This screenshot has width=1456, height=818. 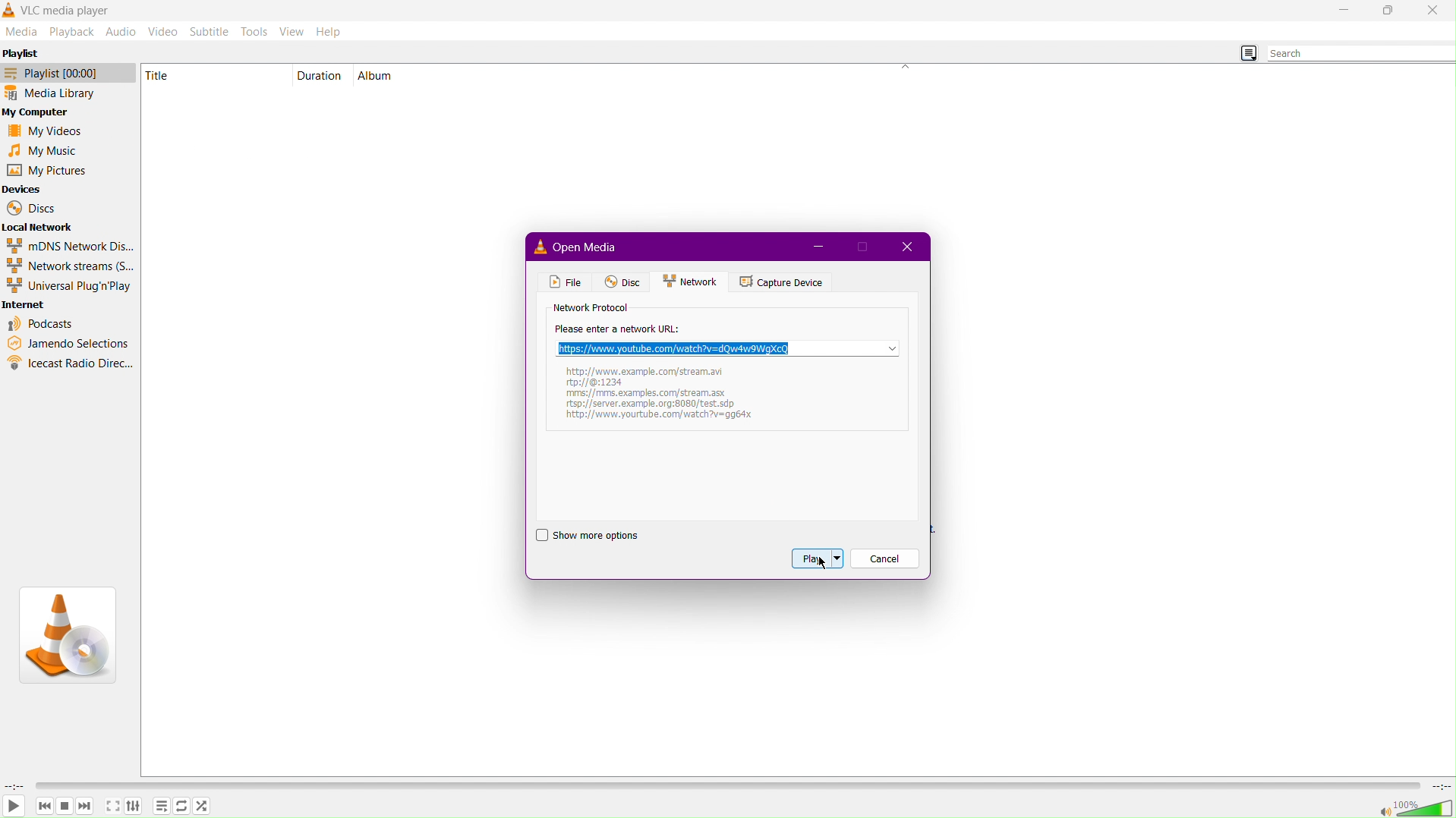 What do you see at coordinates (71, 267) in the screenshot?
I see `Network streams` at bounding box center [71, 267].